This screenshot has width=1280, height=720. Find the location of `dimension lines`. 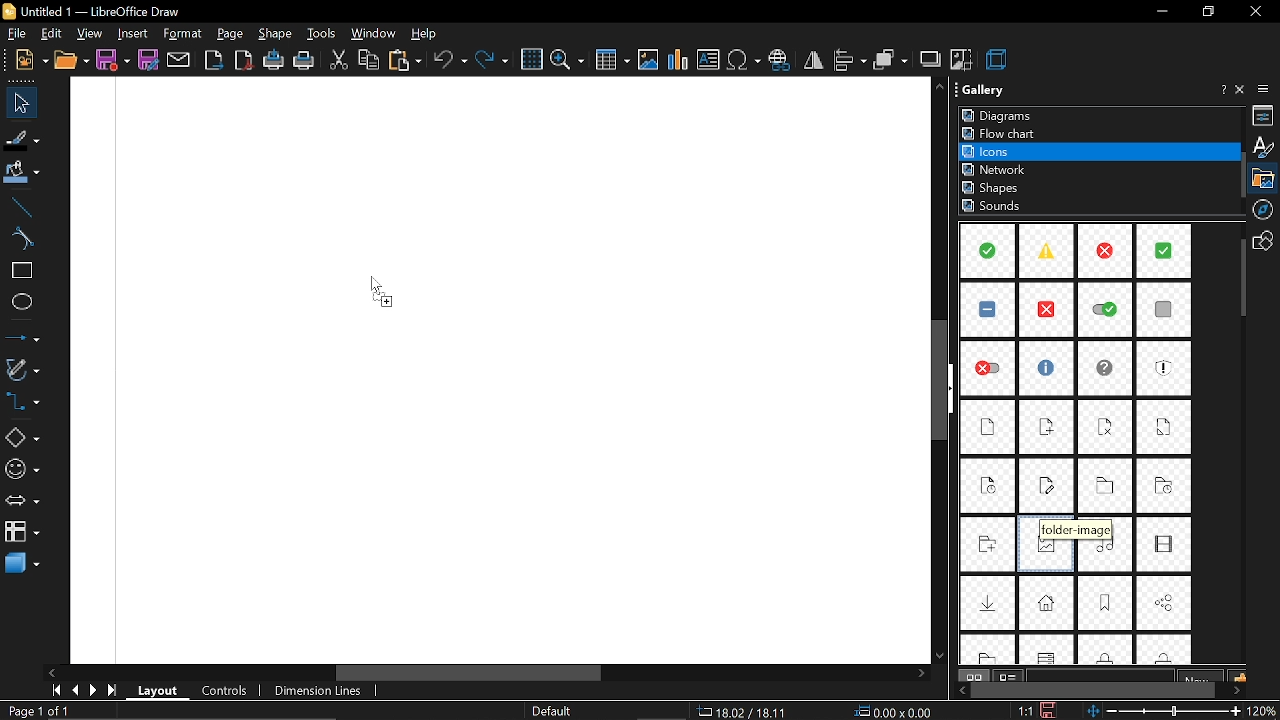

dimension lines is located at coordinates (322, 691).